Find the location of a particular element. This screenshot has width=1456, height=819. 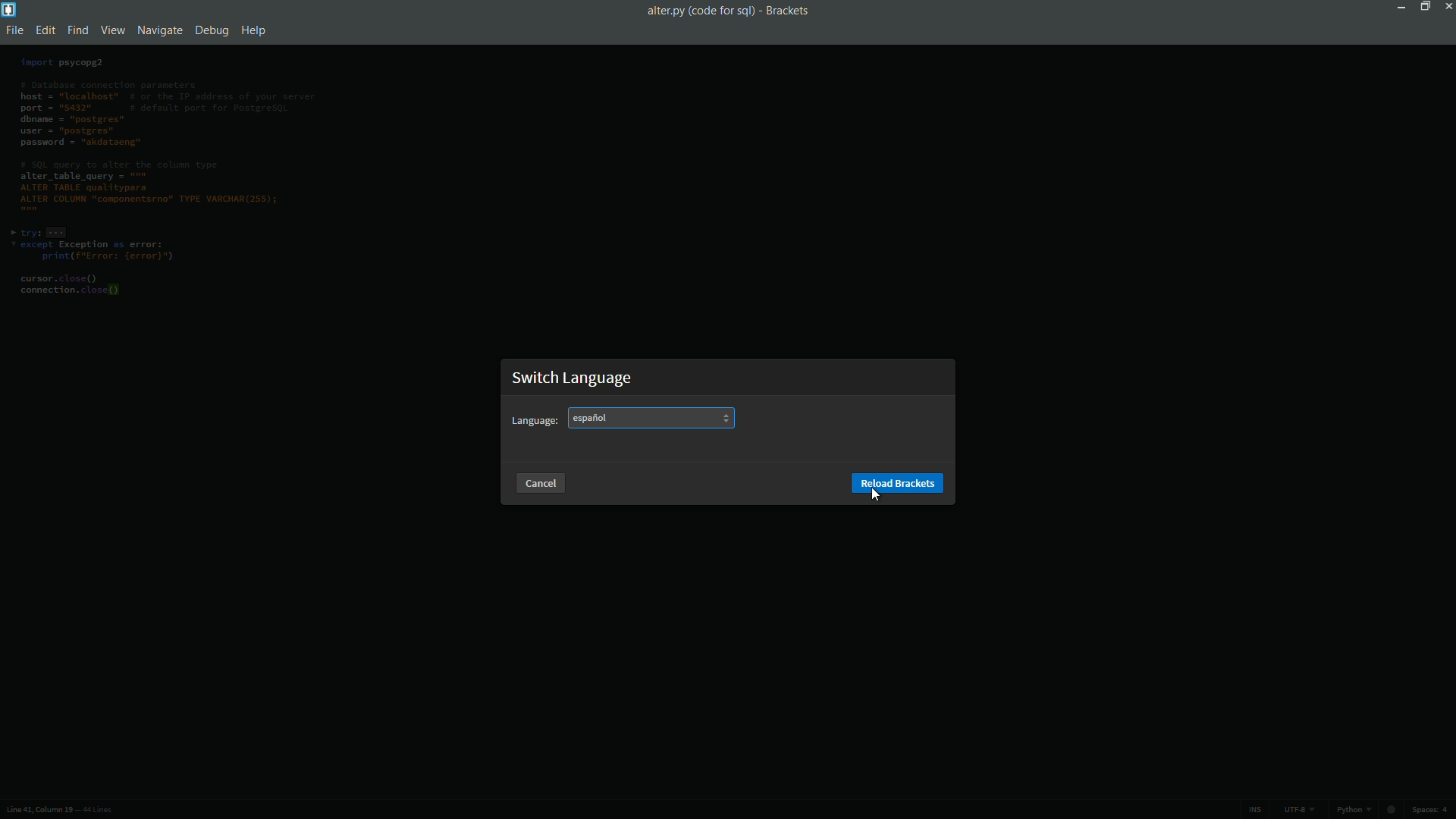

navigate menu is located at coordinates (157, 30).